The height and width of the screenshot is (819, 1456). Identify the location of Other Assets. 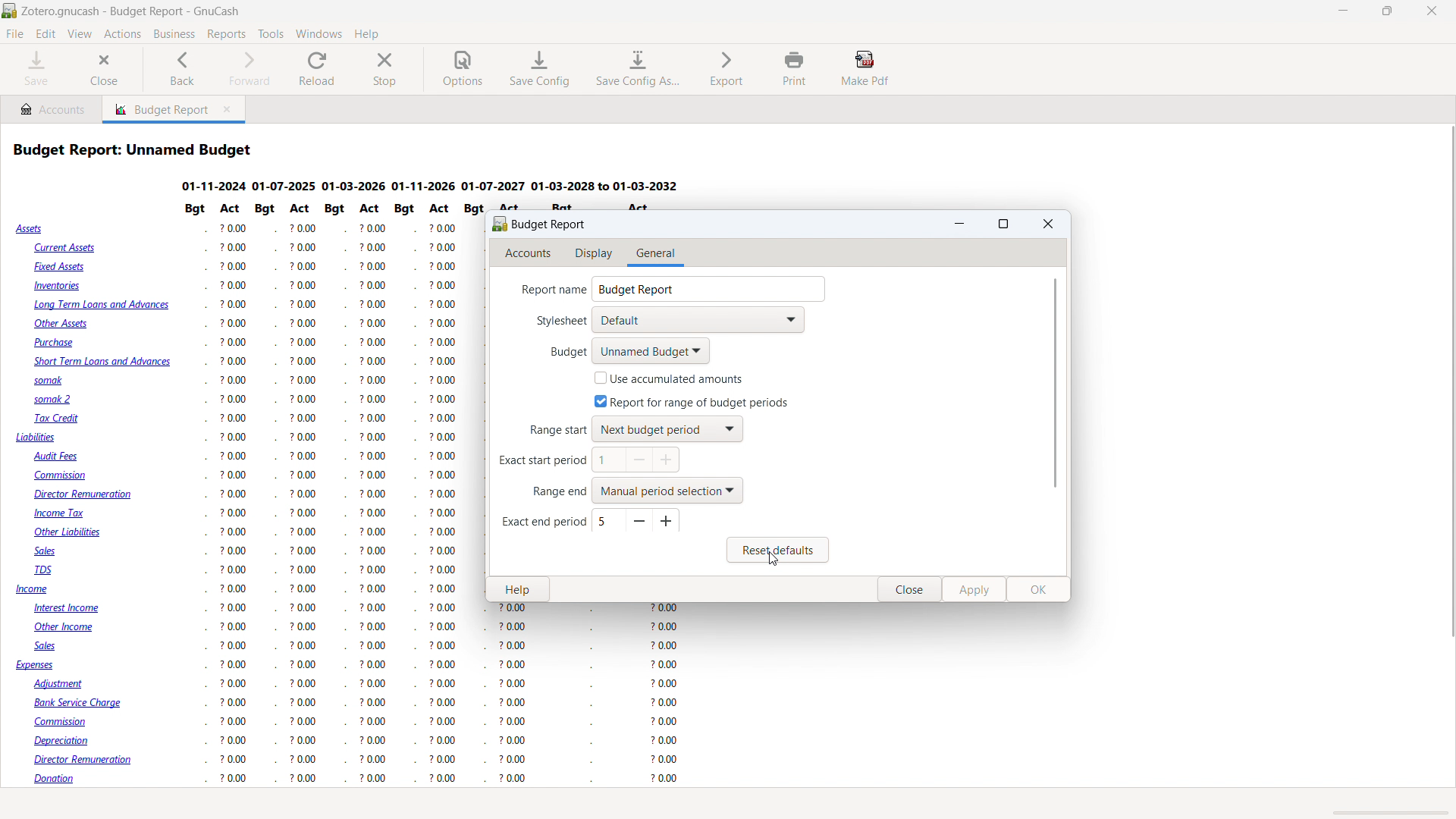
(61, 324).